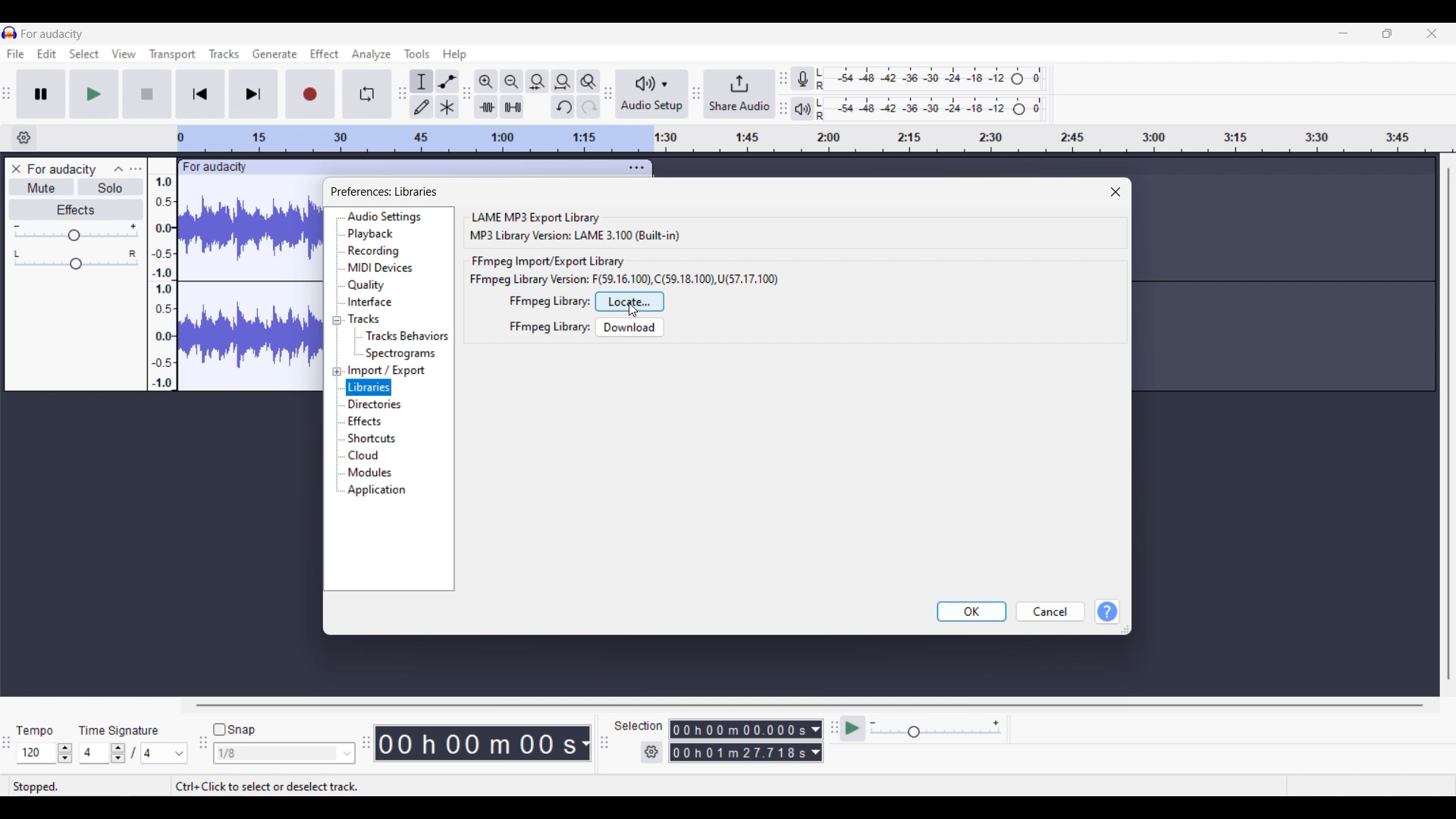  I want to click on Record/Record new track, so click(311, 95).